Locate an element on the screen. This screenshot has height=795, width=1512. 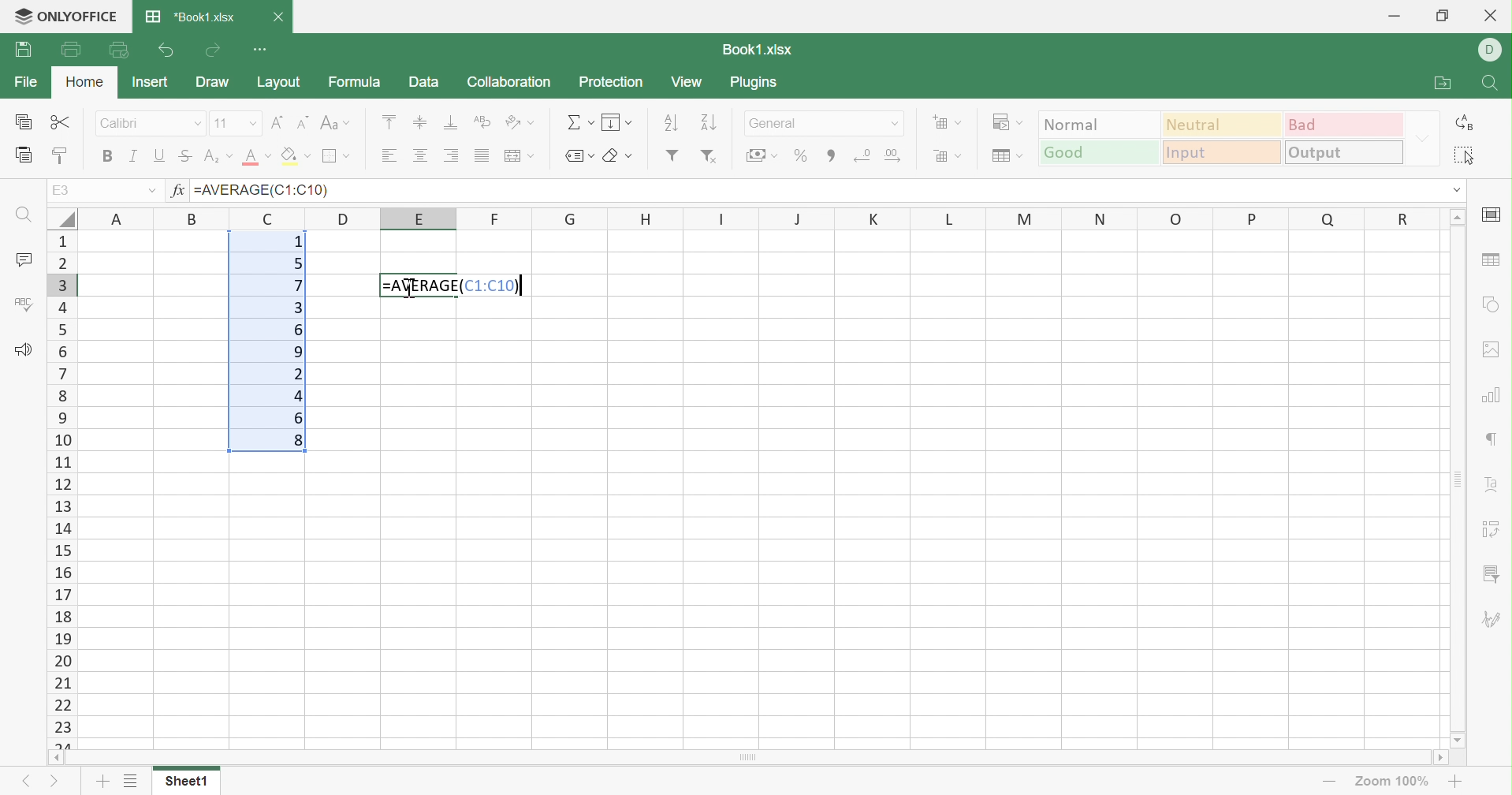
Strikethrough is located at coordinates (188, 157).